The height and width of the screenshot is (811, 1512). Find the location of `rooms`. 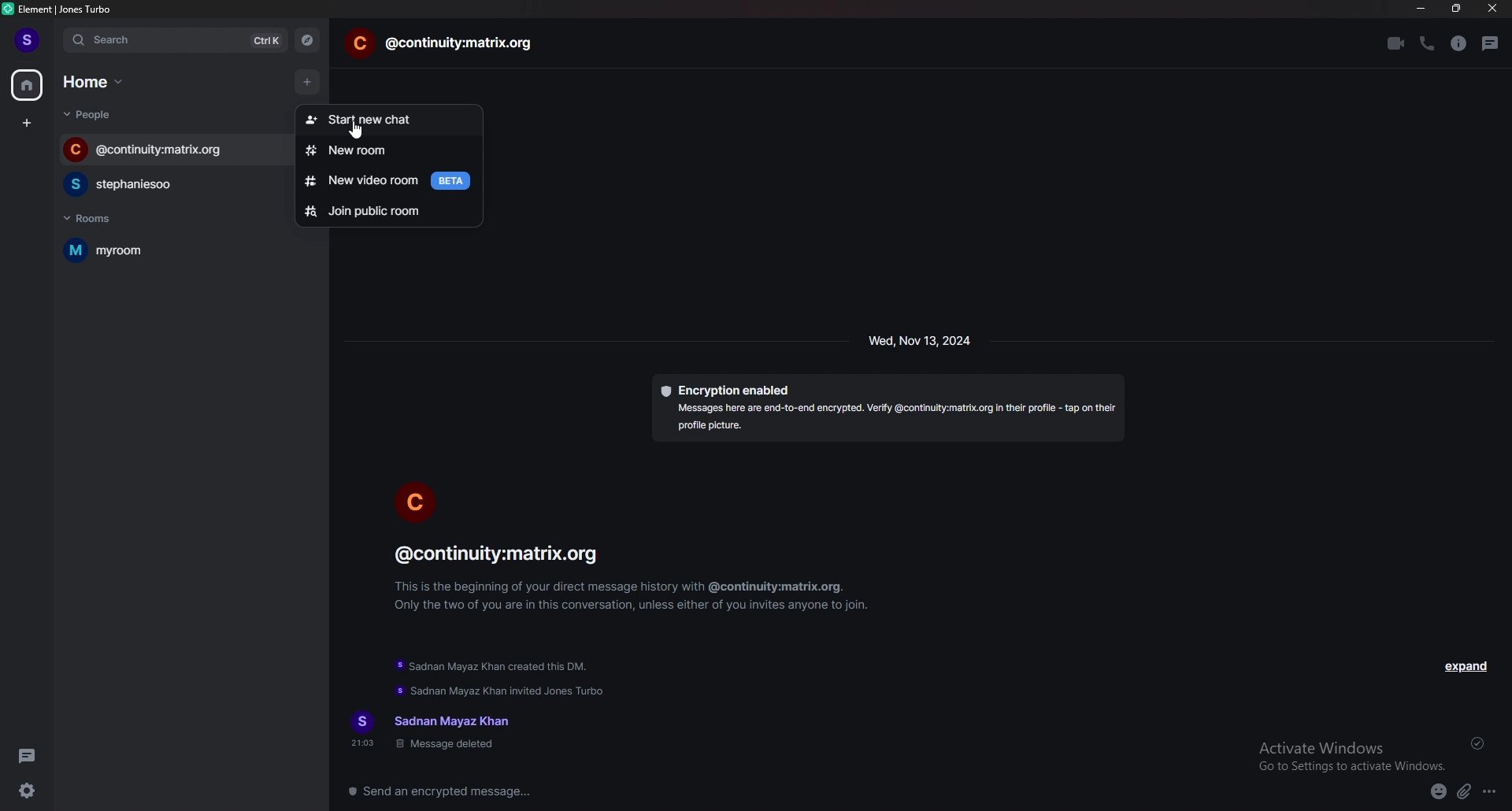

rooms is located at coordinates (107, 218).